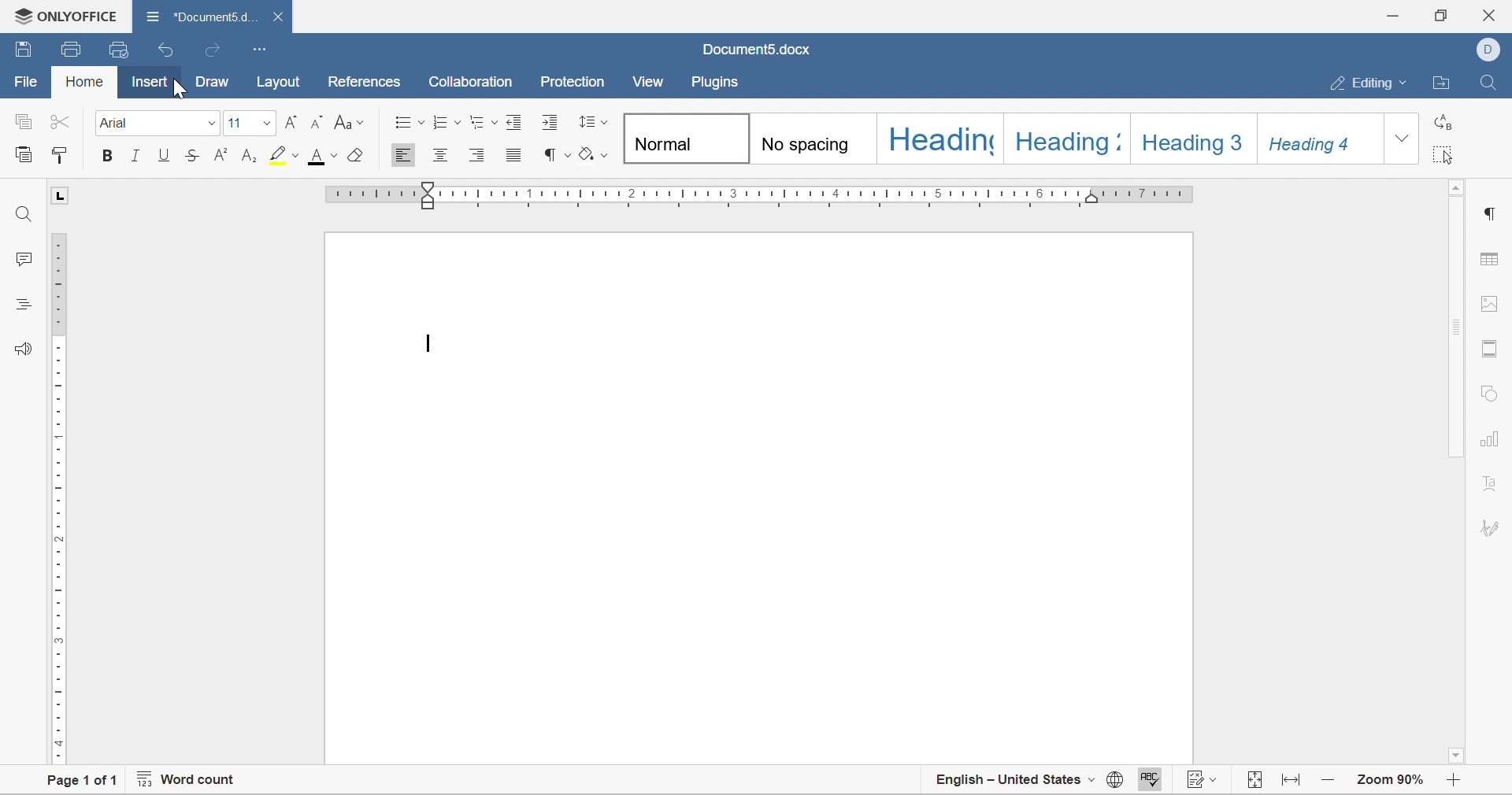  Describe the element at coordinates (1365, 83) in the screenshot. I see `editing` at that location.